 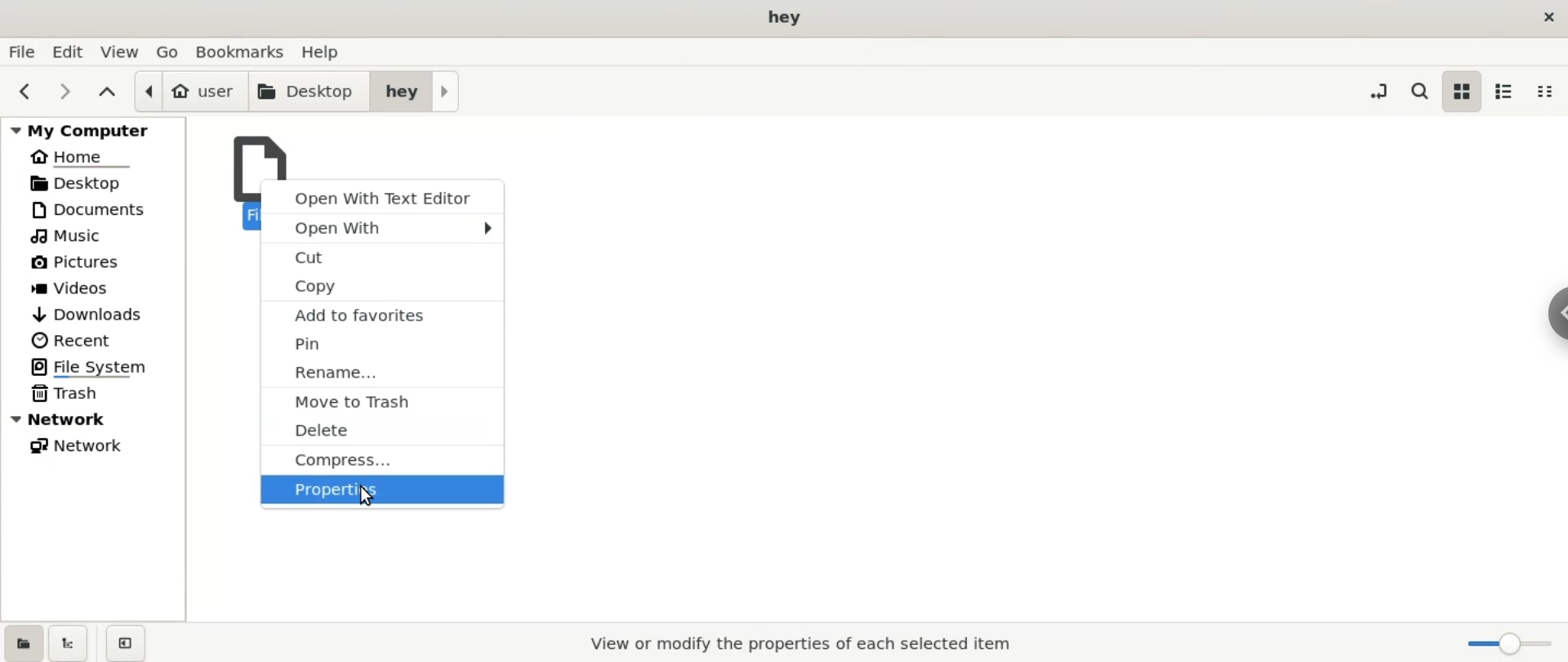 I want to click on show places, so click(x=21, y=644).